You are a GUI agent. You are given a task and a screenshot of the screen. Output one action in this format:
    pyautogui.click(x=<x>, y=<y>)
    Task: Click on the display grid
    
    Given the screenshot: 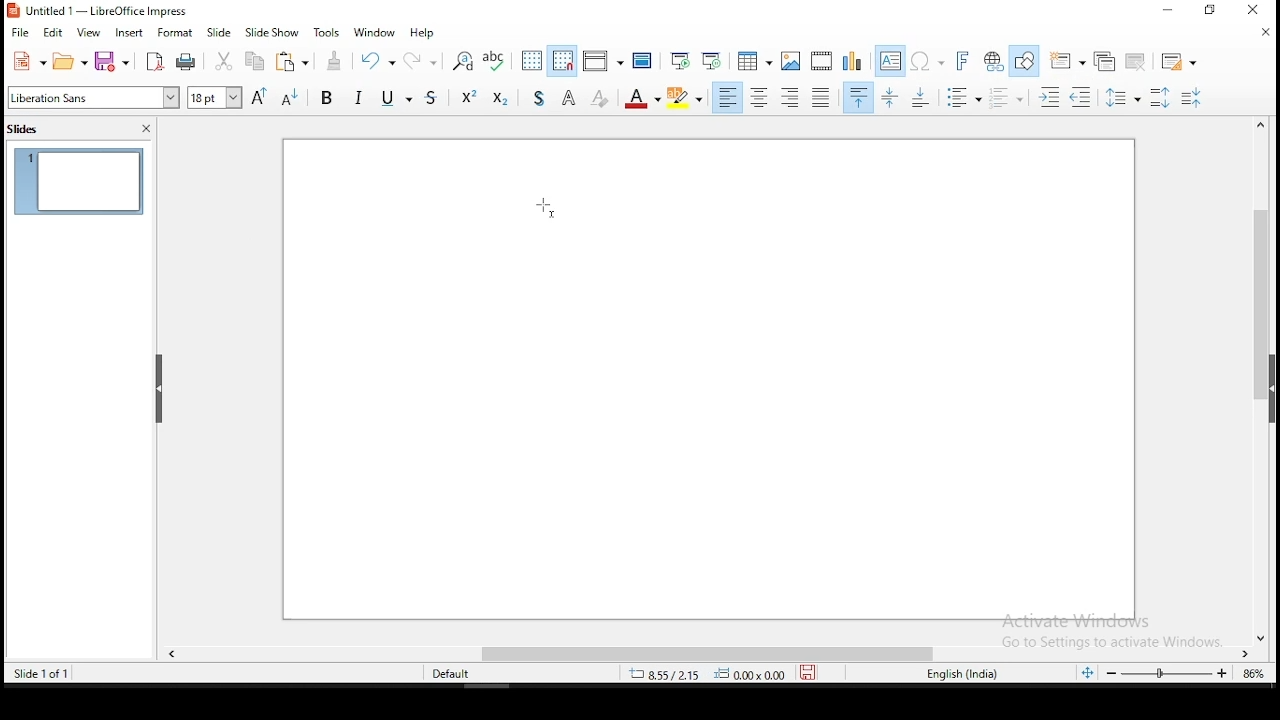 What is the action you would take?
    pyautogui.click(x=528, y=60)
    